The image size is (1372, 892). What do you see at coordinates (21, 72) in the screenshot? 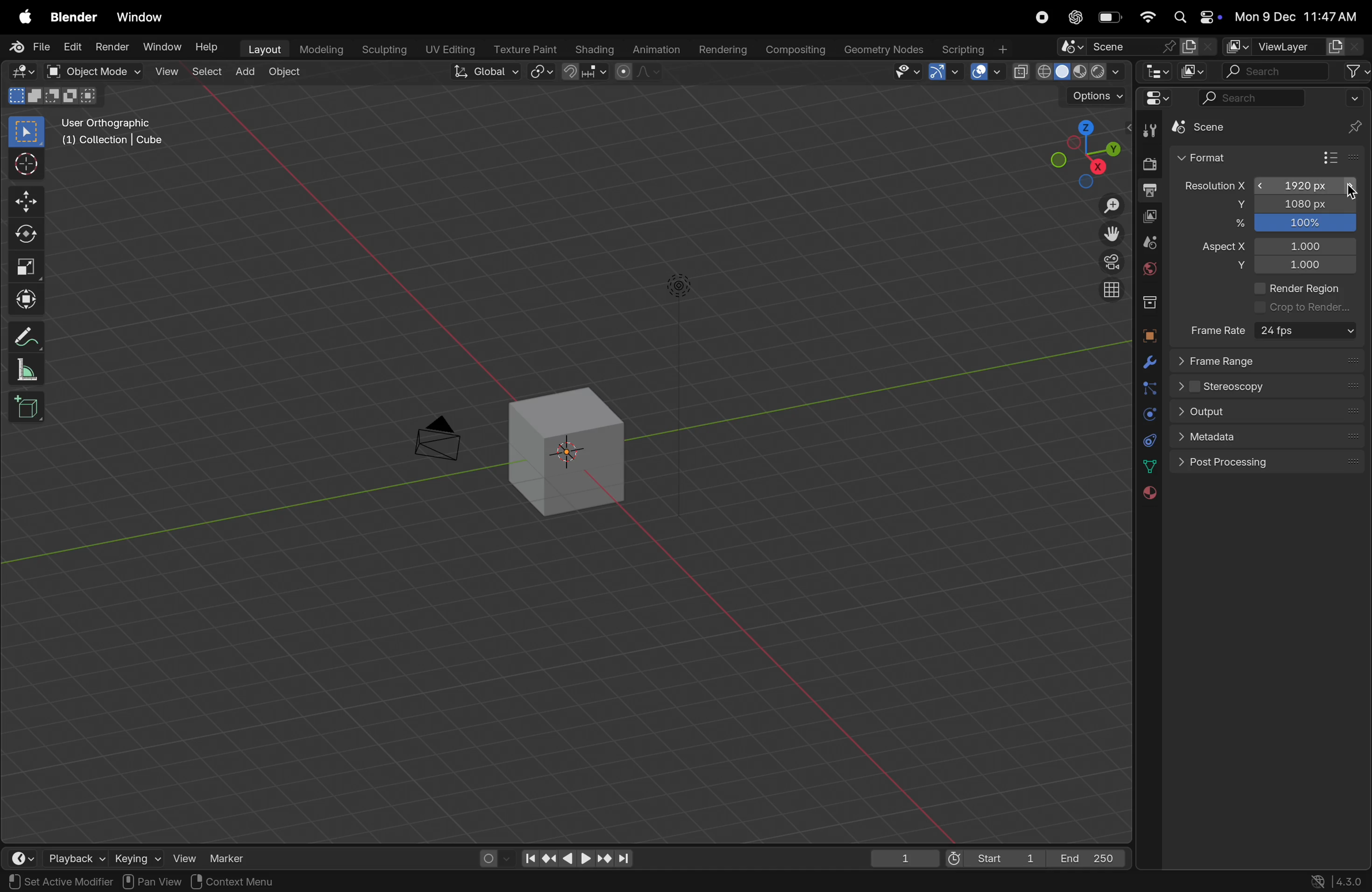
I see `editor type` at bounding box center [21, 72].